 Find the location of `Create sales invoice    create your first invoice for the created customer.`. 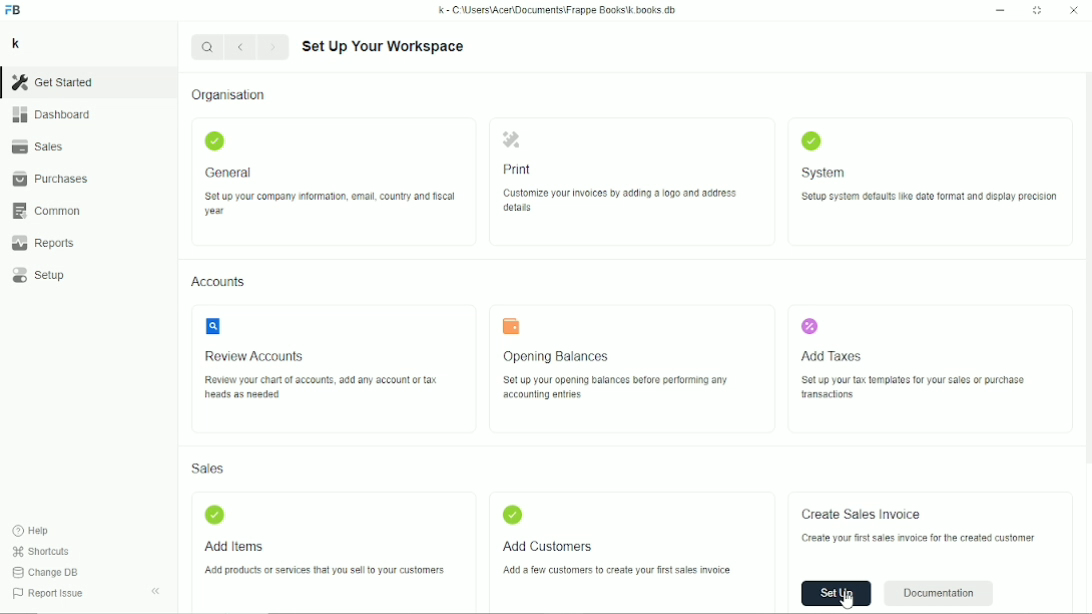

Create sales invoice    create your first invoice for the created customer. is located at coordinates (919, 528).